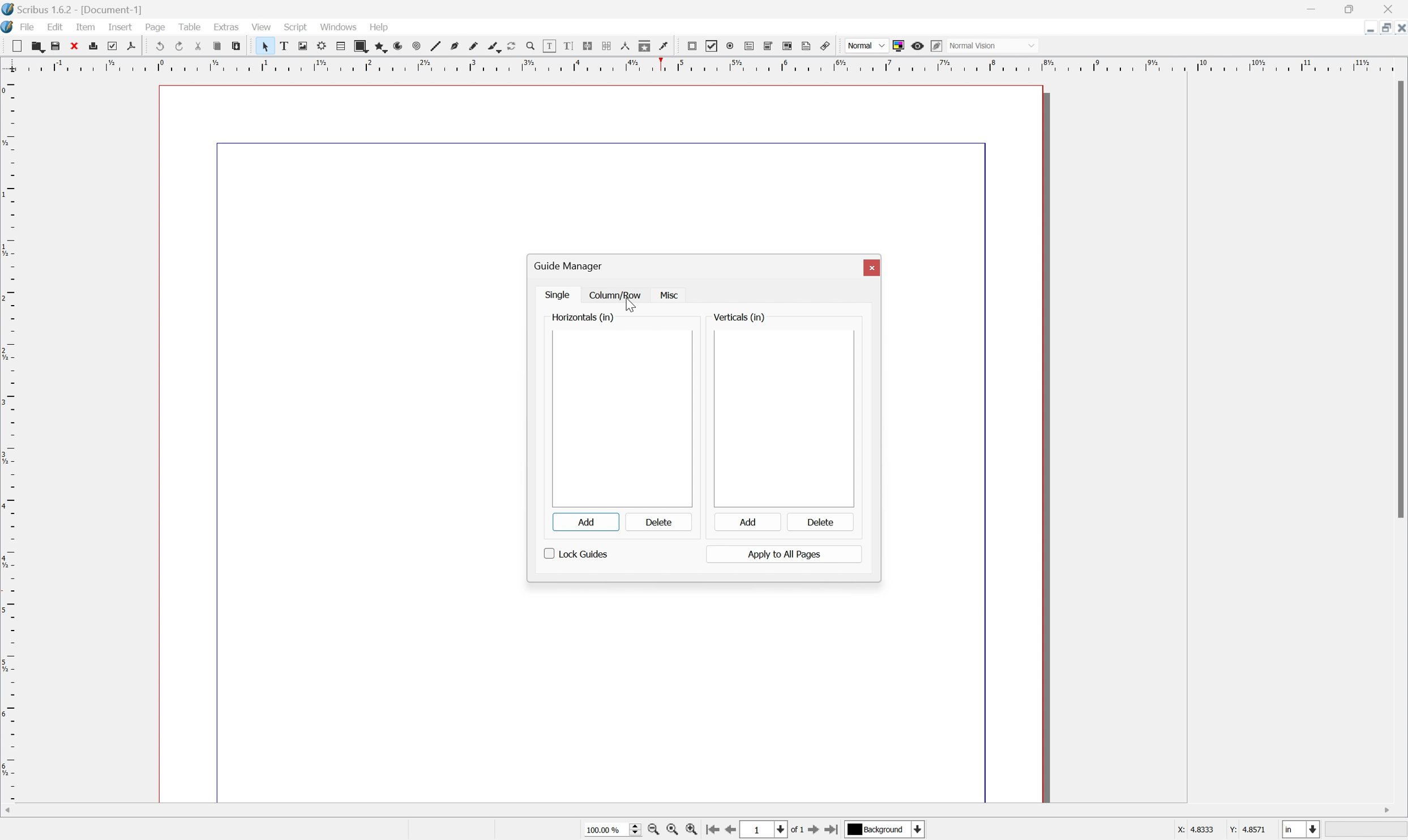 The height and width of the screenshot is (840, 1408). What do you see at coordinates (455, 46) in the screenshot?
I see `bezier curve` at bounding box center [455, 46].